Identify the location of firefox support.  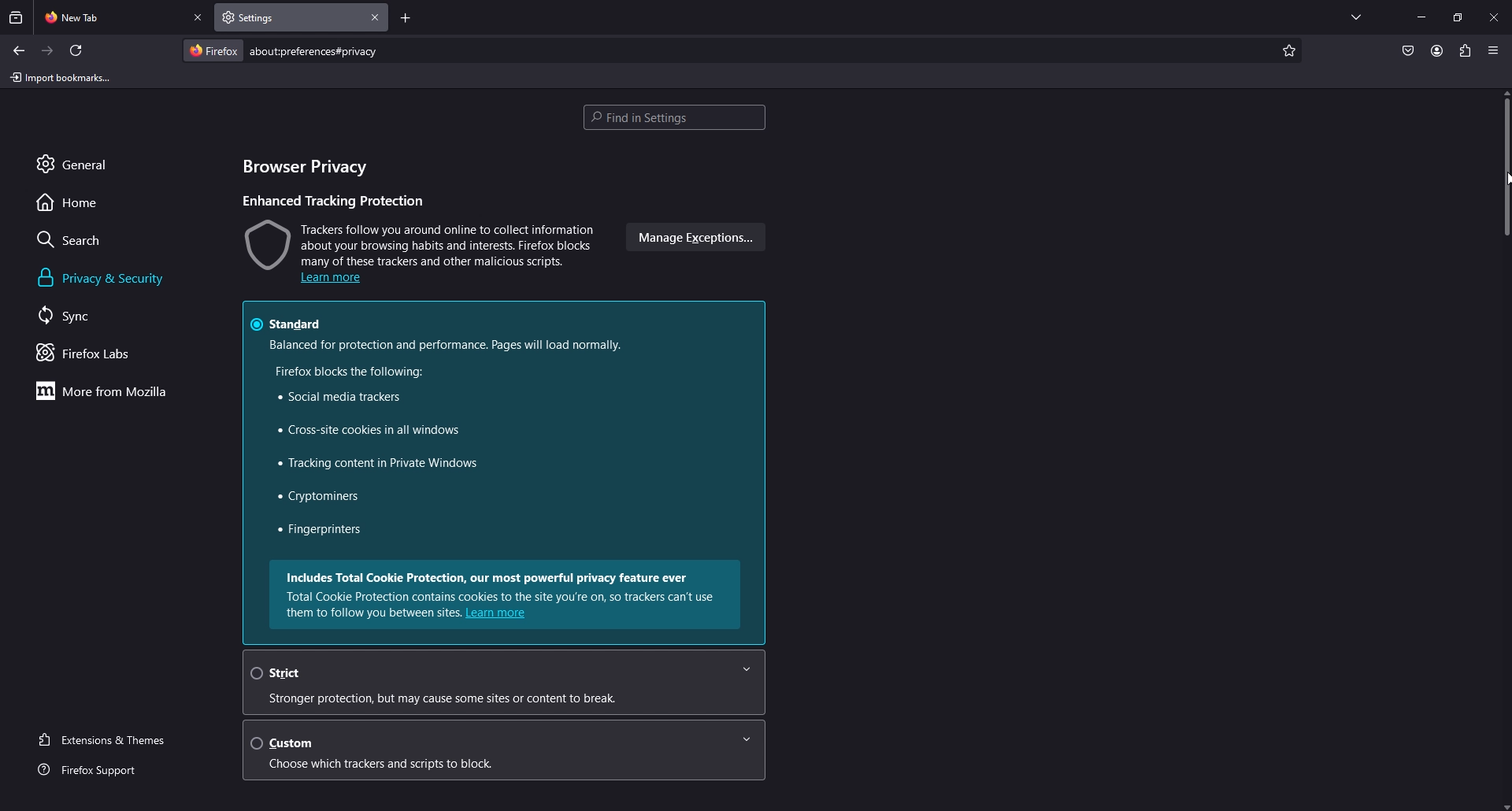
(102, 771).